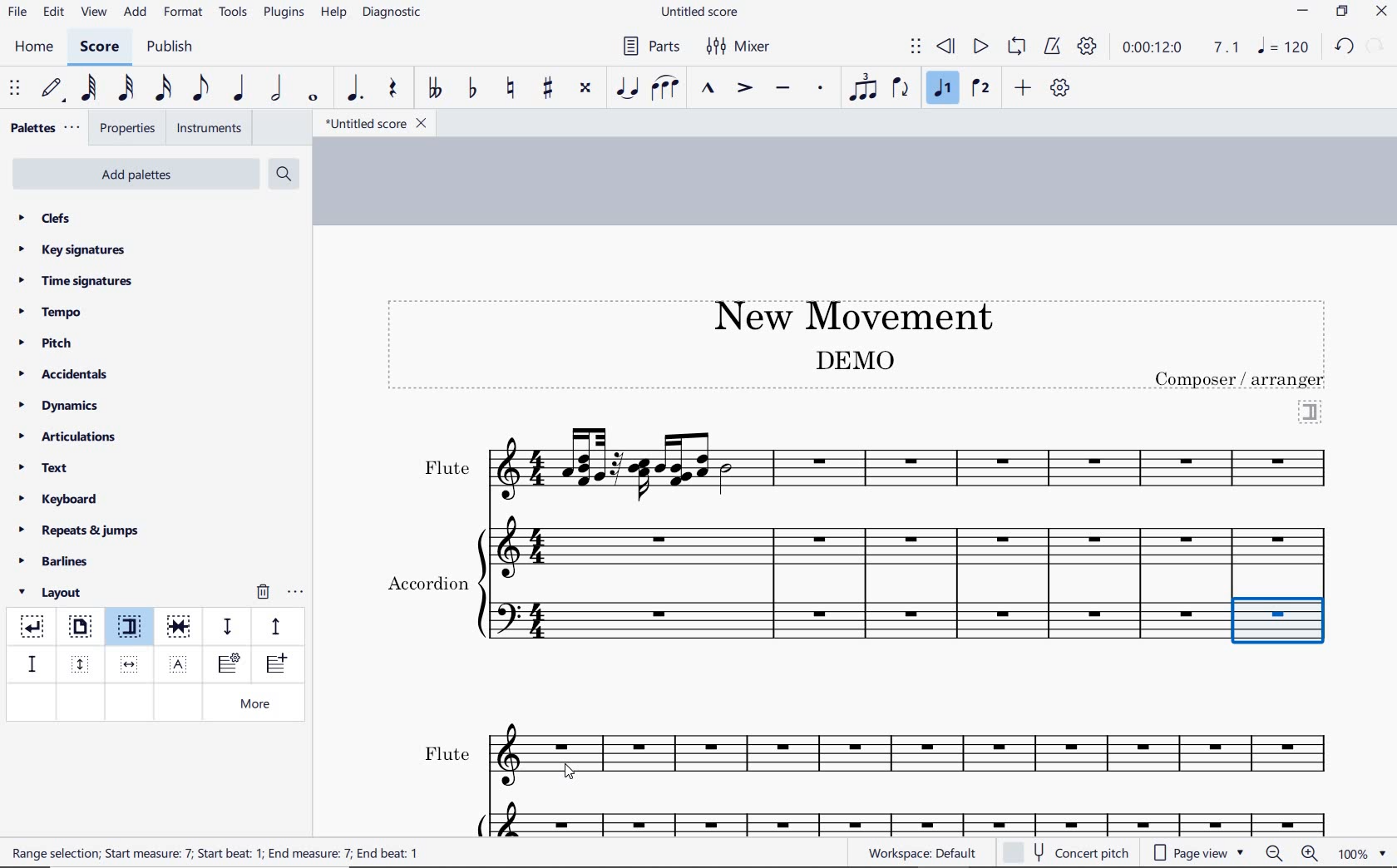  I want to click on zoom in, so click(1313, 855).